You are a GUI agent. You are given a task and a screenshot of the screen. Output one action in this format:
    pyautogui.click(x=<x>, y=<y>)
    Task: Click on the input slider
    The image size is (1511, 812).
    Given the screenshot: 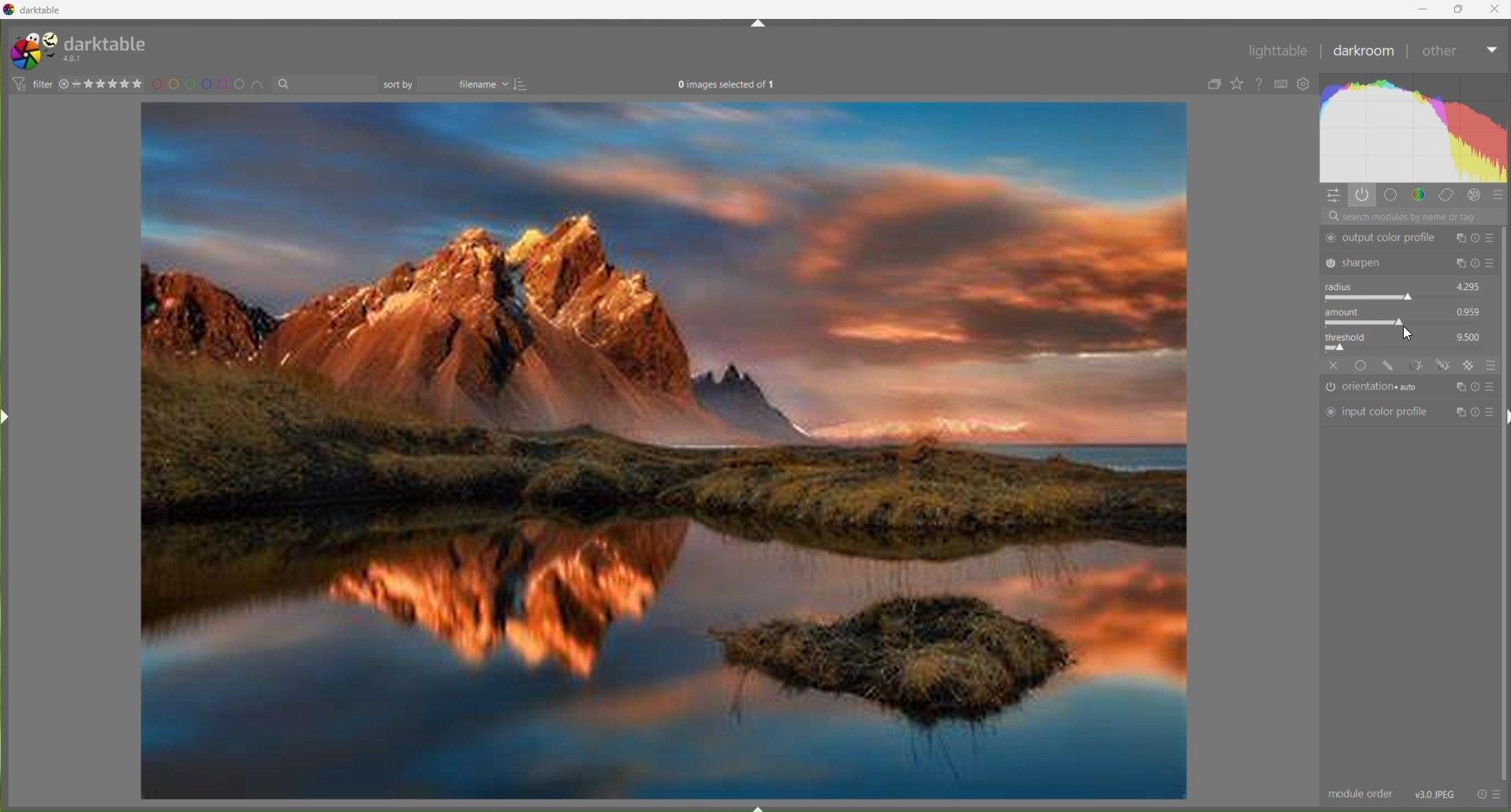 What is the action you would take?
    pyautogui.click(x=1405, y=322)
    